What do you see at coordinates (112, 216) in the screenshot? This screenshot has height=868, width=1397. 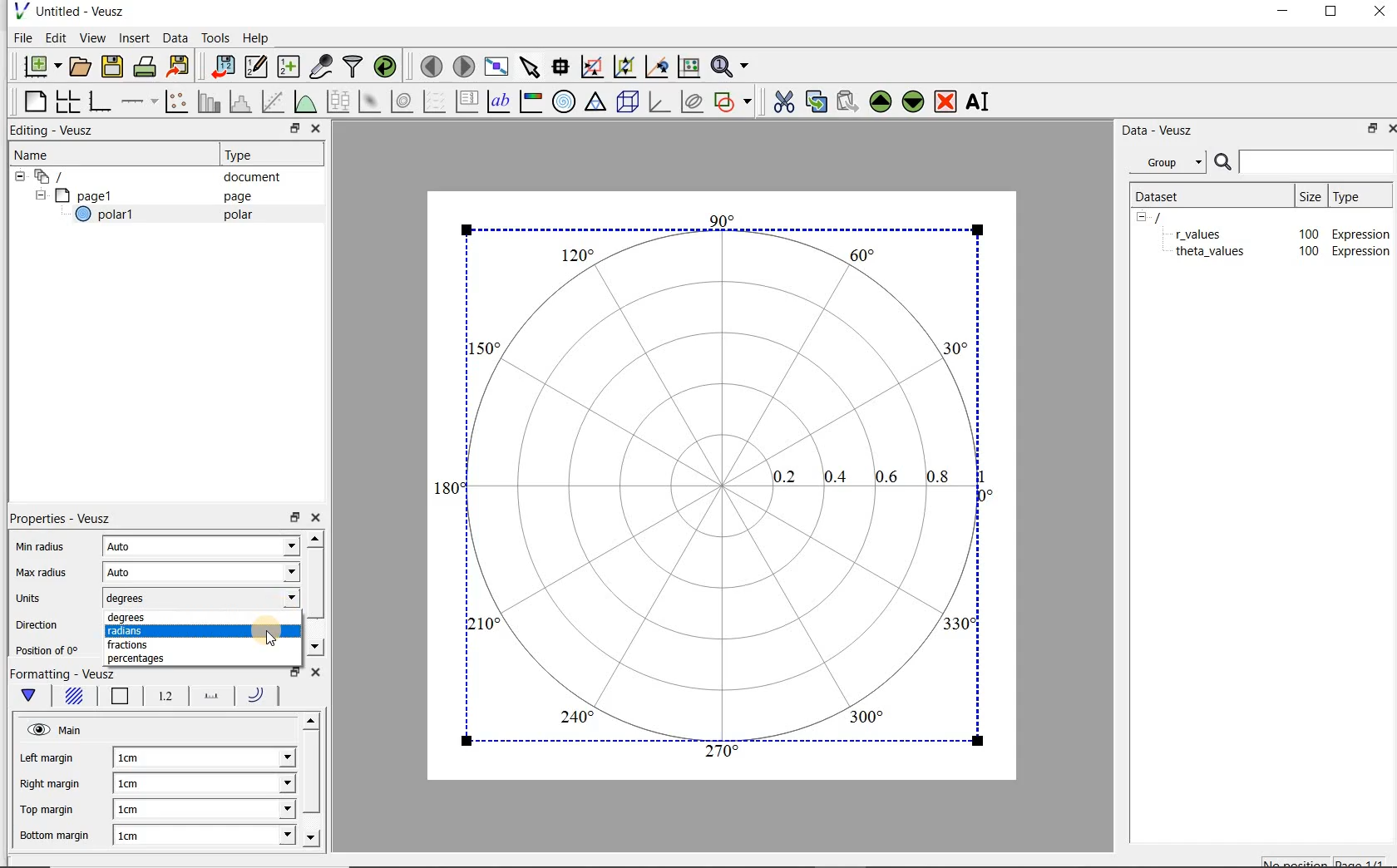 I see `polar1` at bounding box center [112, 216].